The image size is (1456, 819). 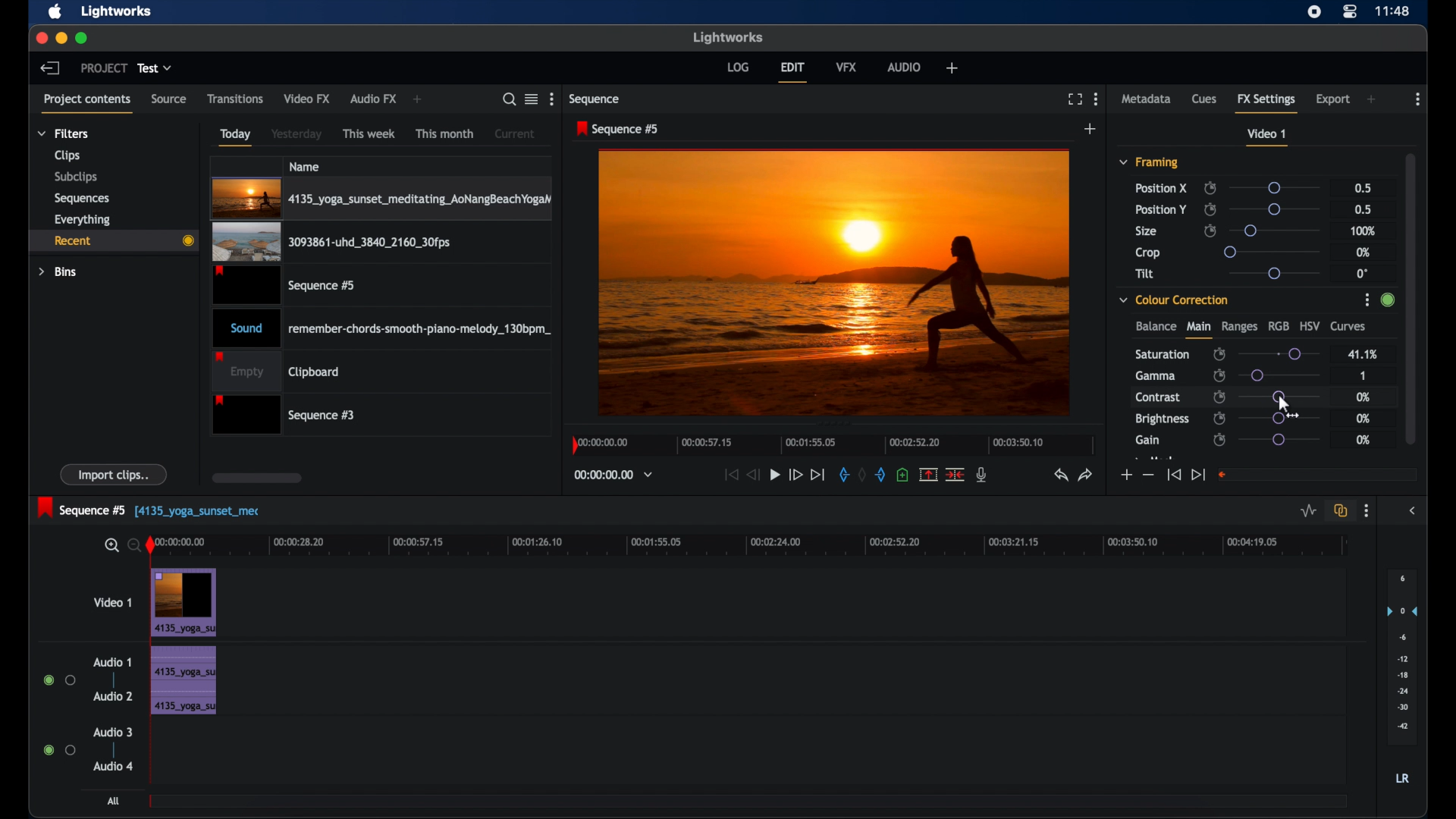 I want to click on audio clip, so click(x=382, y=327).